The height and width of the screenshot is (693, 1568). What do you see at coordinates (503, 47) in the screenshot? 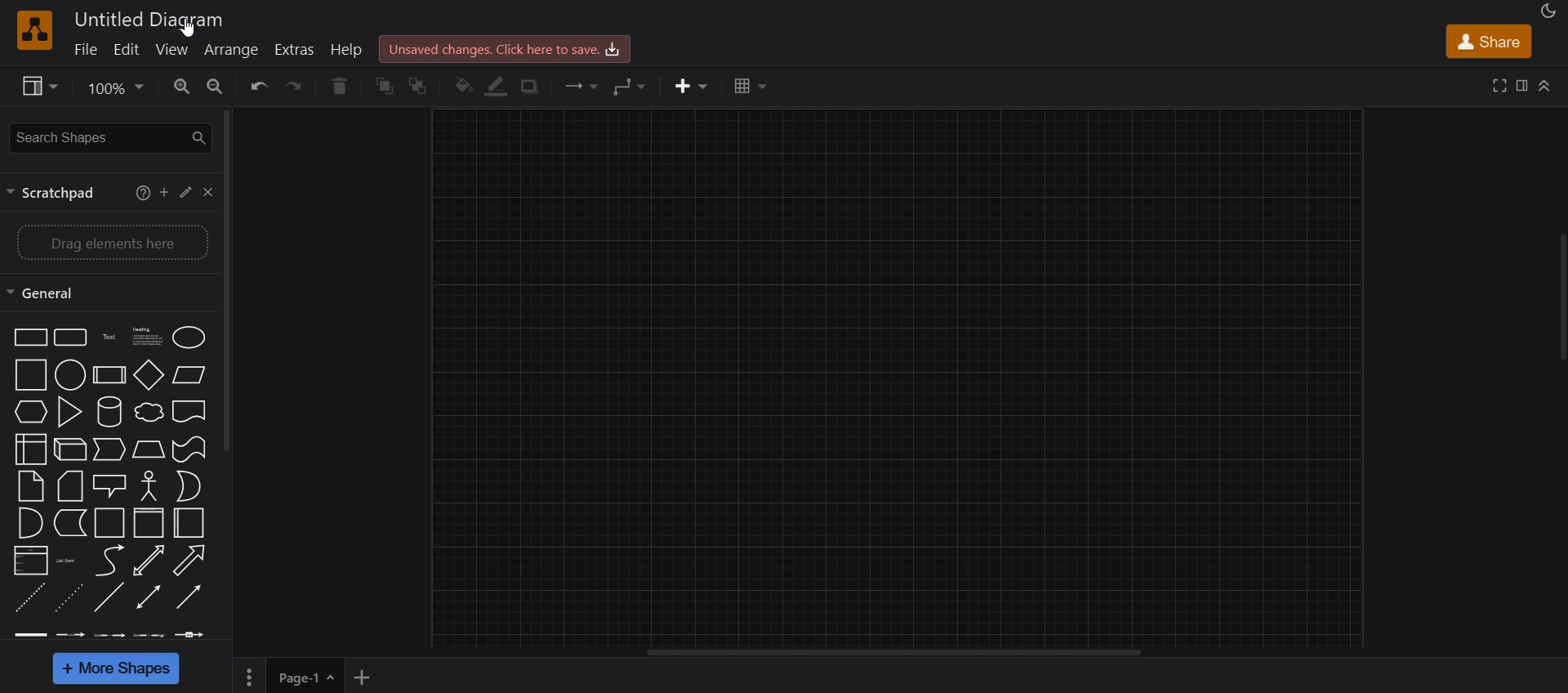
I see `click here to save.` at bounding box center [503, 47].